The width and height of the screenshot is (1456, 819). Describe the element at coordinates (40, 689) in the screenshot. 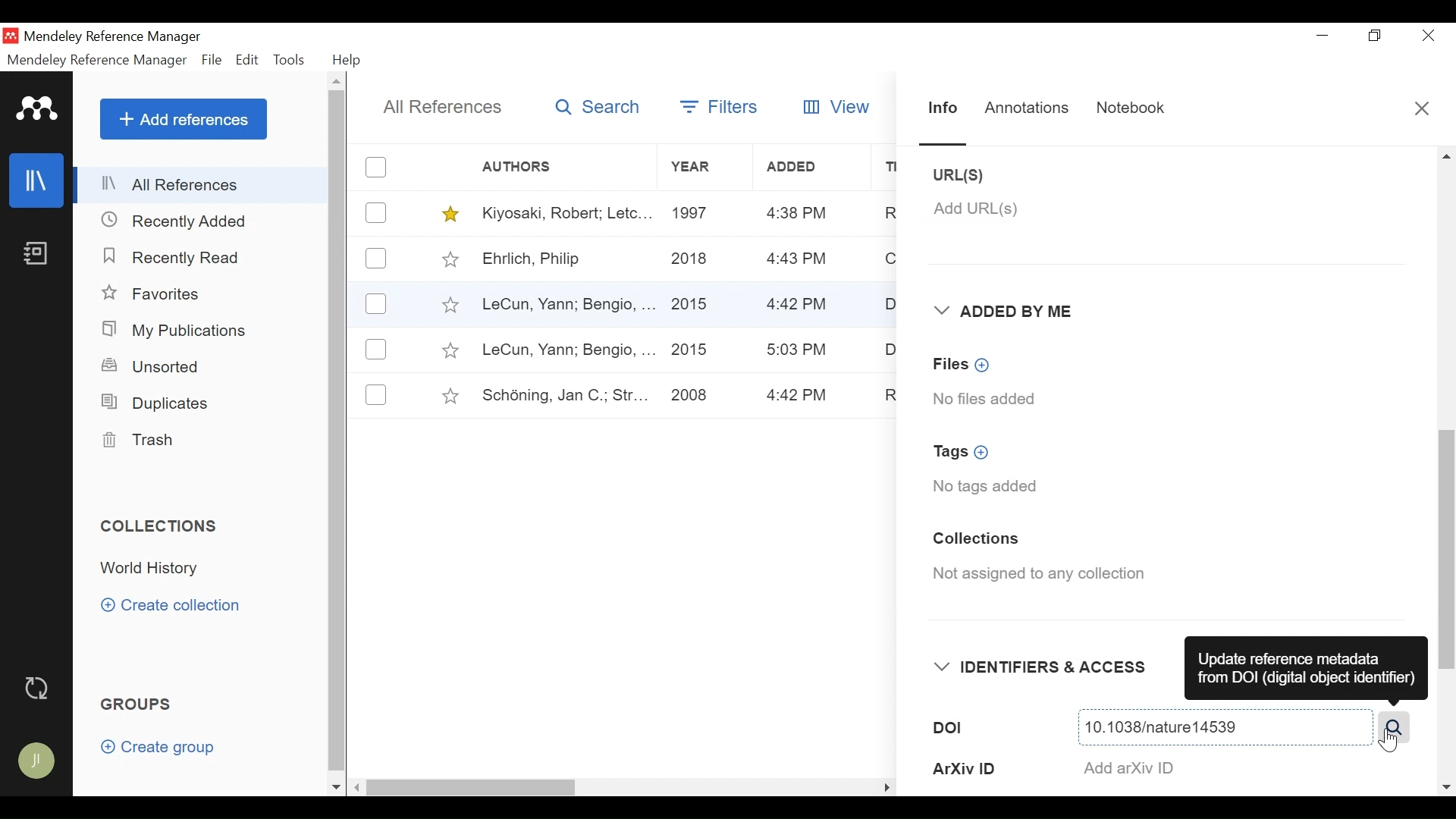

I see `Sync` at that location.